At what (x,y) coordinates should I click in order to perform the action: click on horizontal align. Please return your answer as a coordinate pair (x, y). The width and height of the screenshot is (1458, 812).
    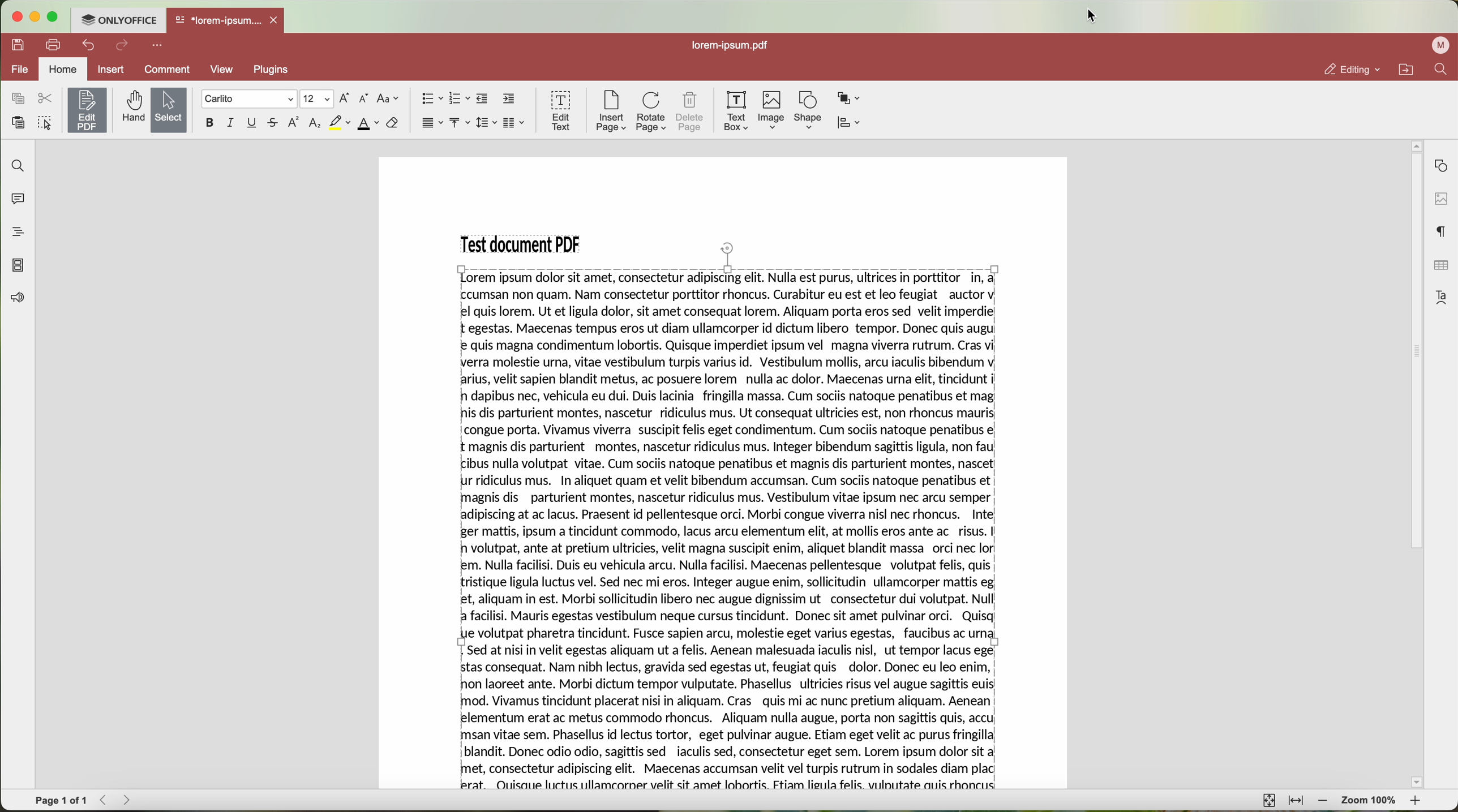
    Looking at the image, I should click on (434, 122).